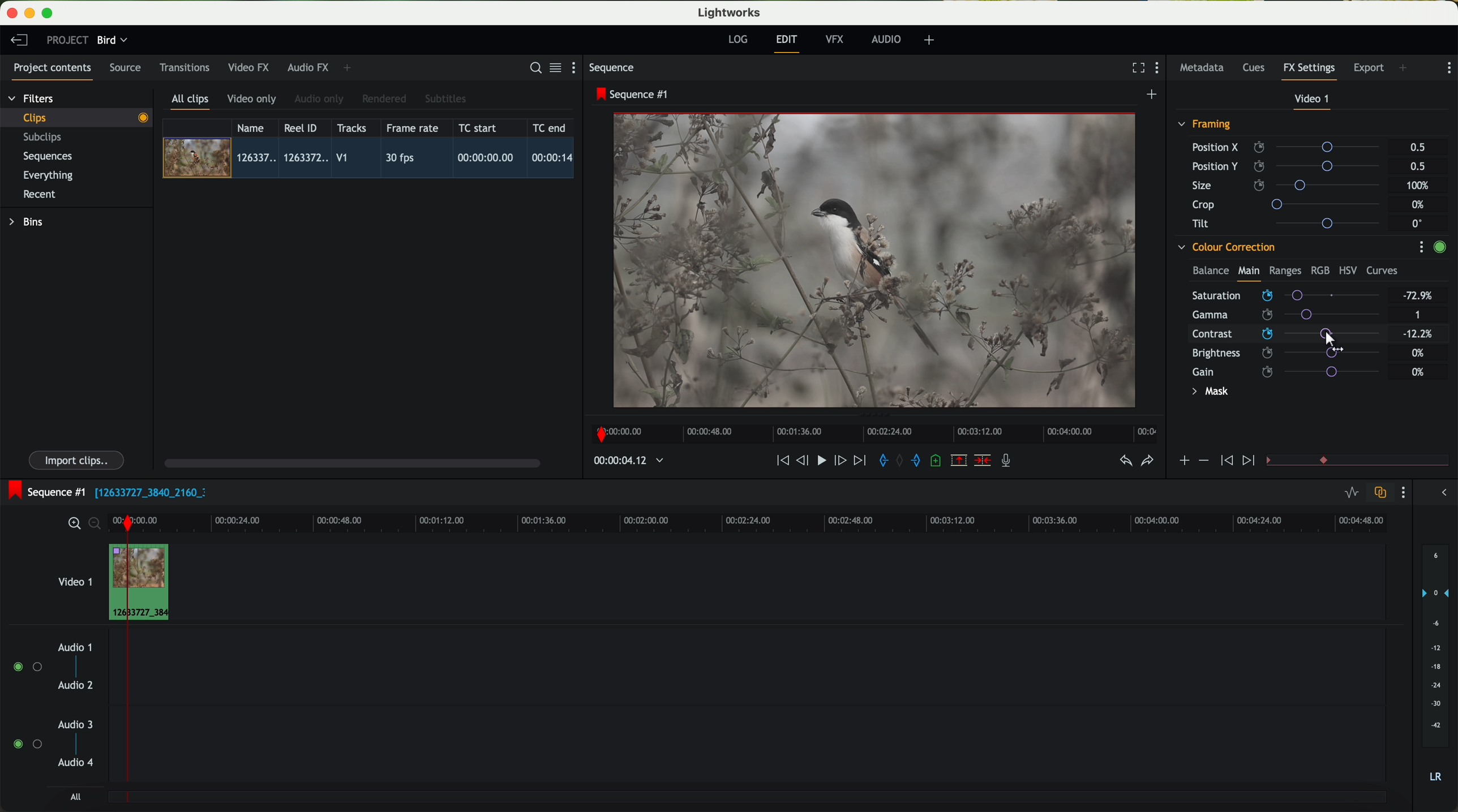  Describe the element at coordinates (77, 117) in the screenshot. I see `clips` at that location.